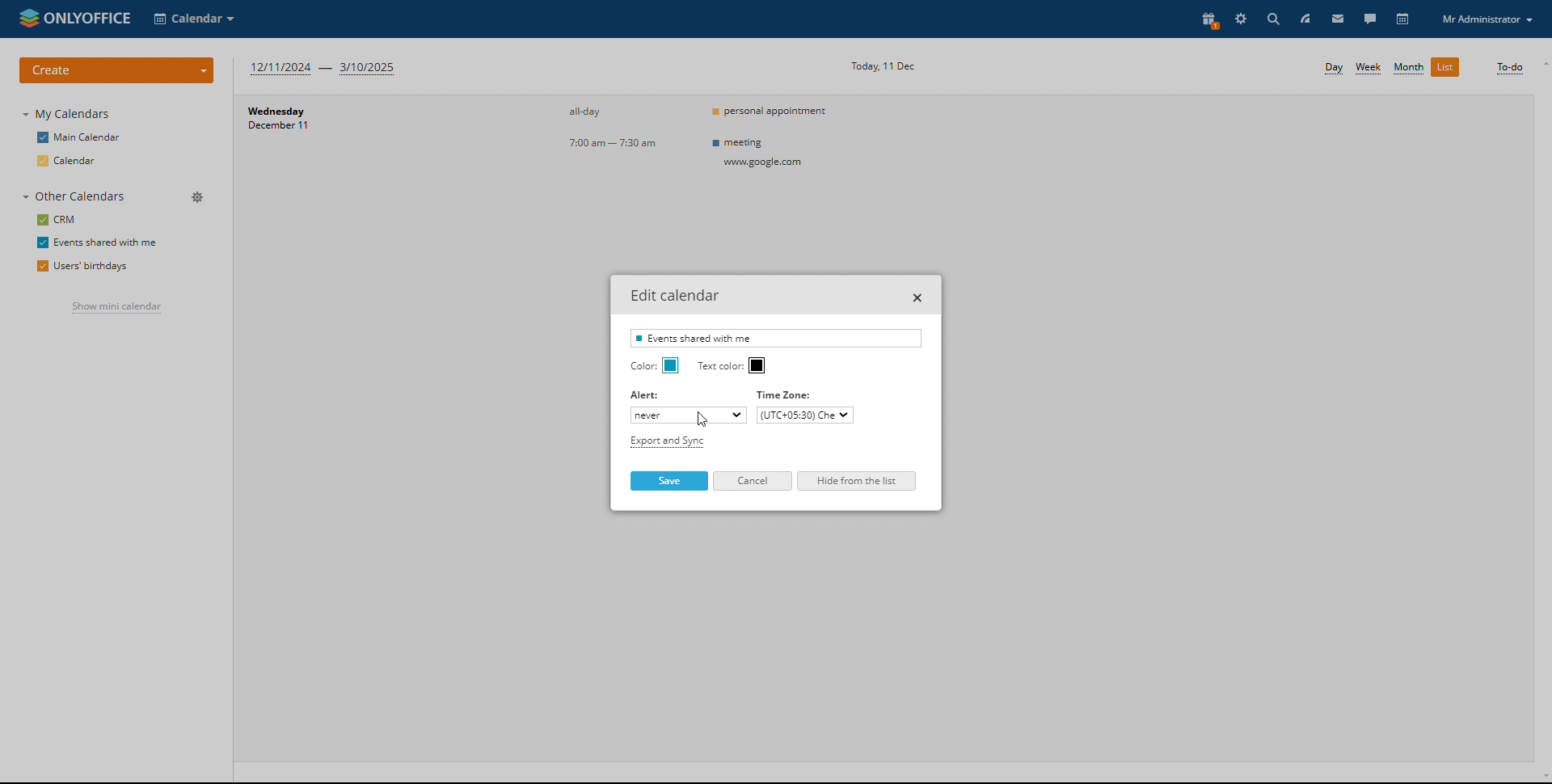 This screenshot has height=784, width=1552. Describe the element at coordinates (665, 442) in the screenshot. I see `export and sync` at that location.